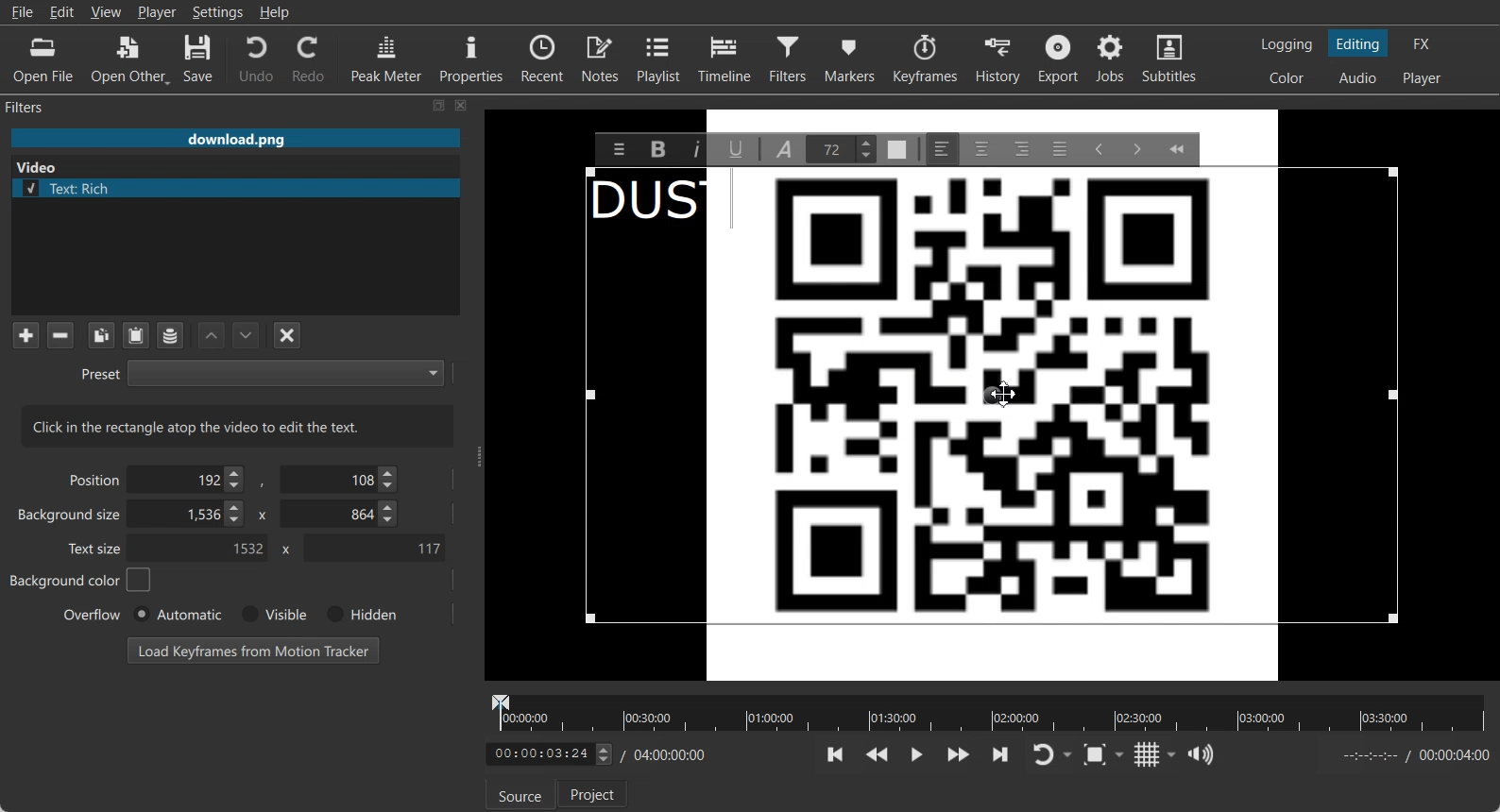 The image size is (1500, 812). I want to click on adjust Time , so click(548, 755).